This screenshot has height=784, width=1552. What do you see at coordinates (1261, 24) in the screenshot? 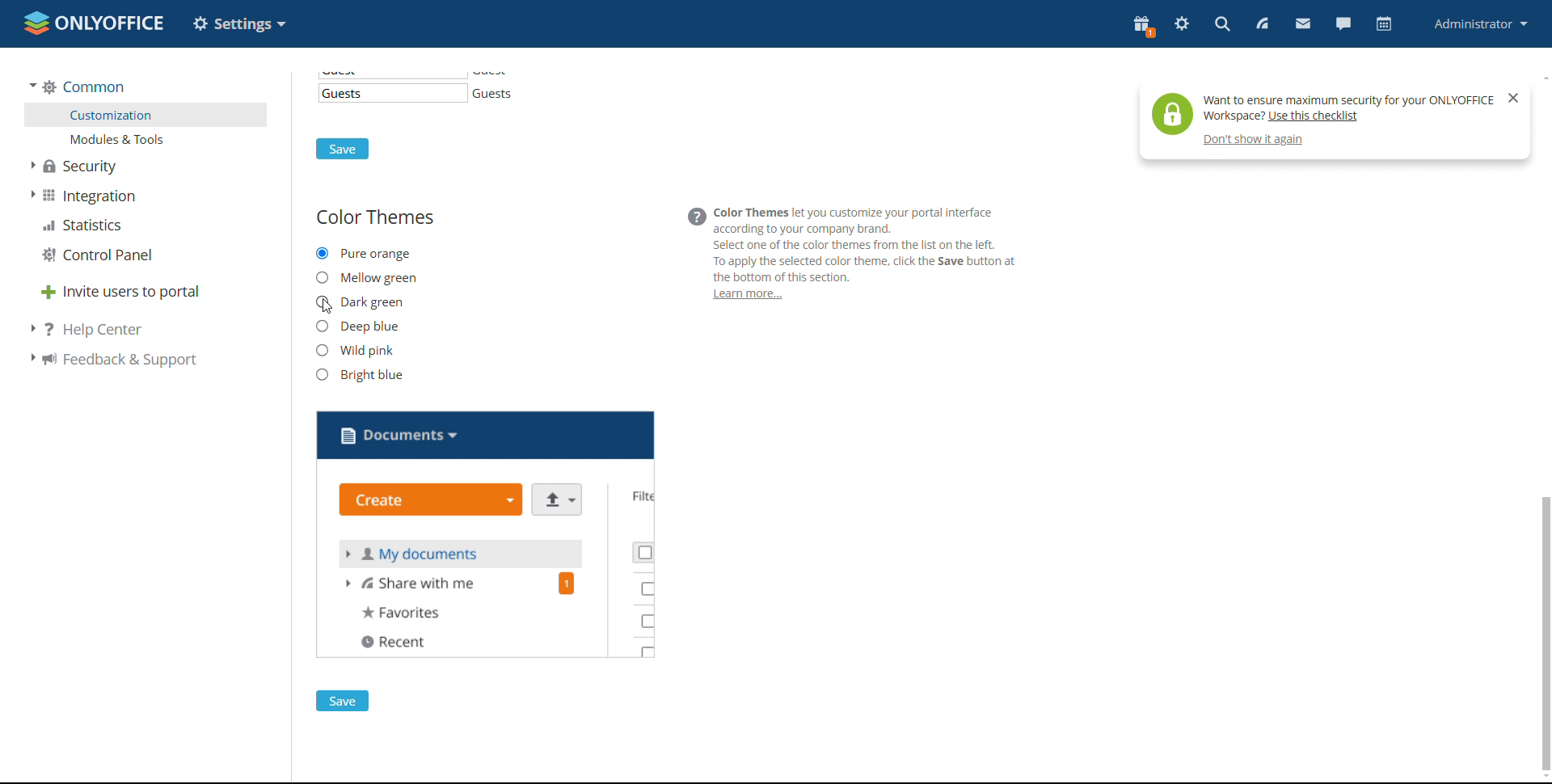
I see `feed` at bounding box center [1261, 24].